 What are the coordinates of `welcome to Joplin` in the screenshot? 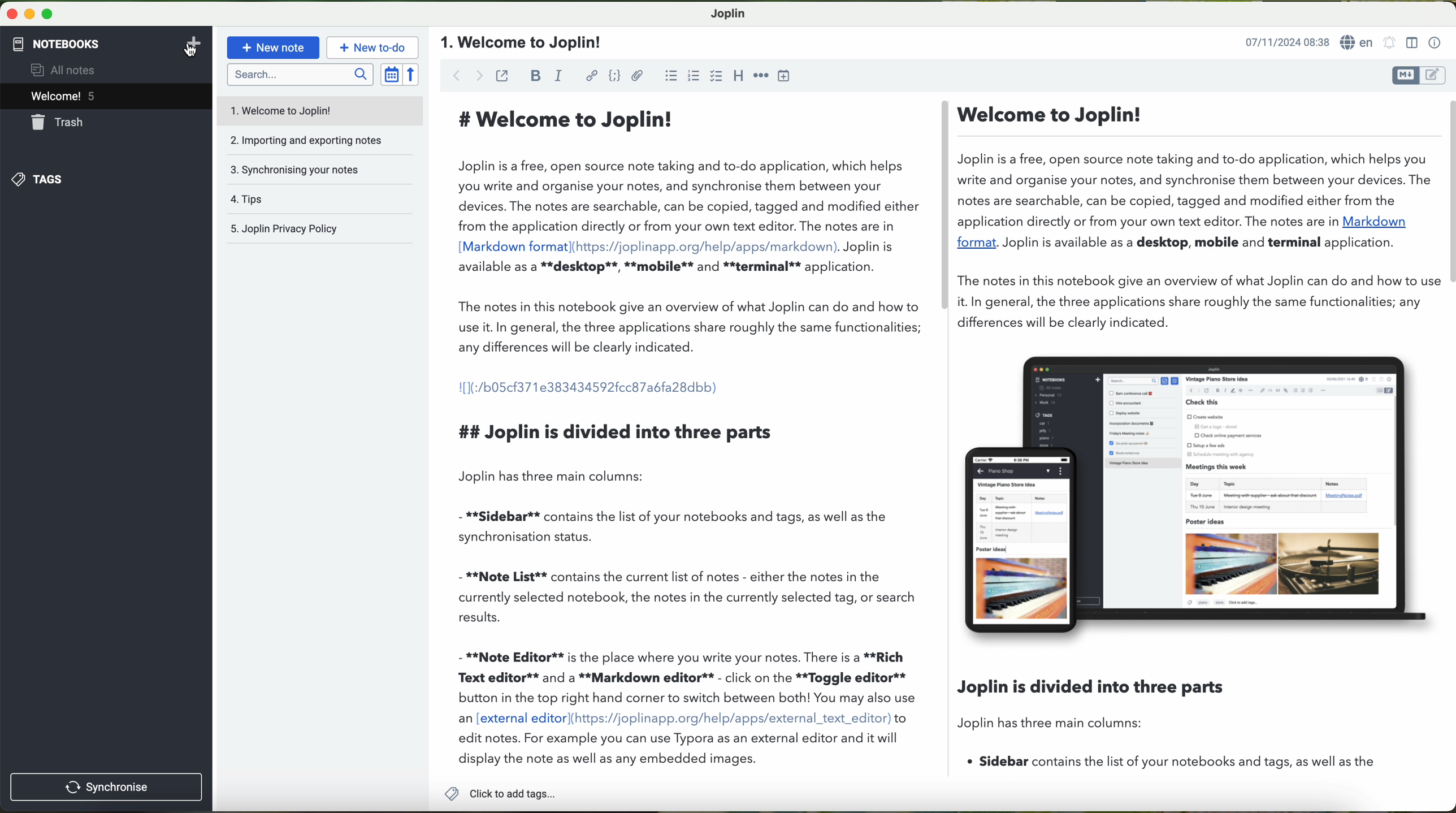 It's located at (282, 110).